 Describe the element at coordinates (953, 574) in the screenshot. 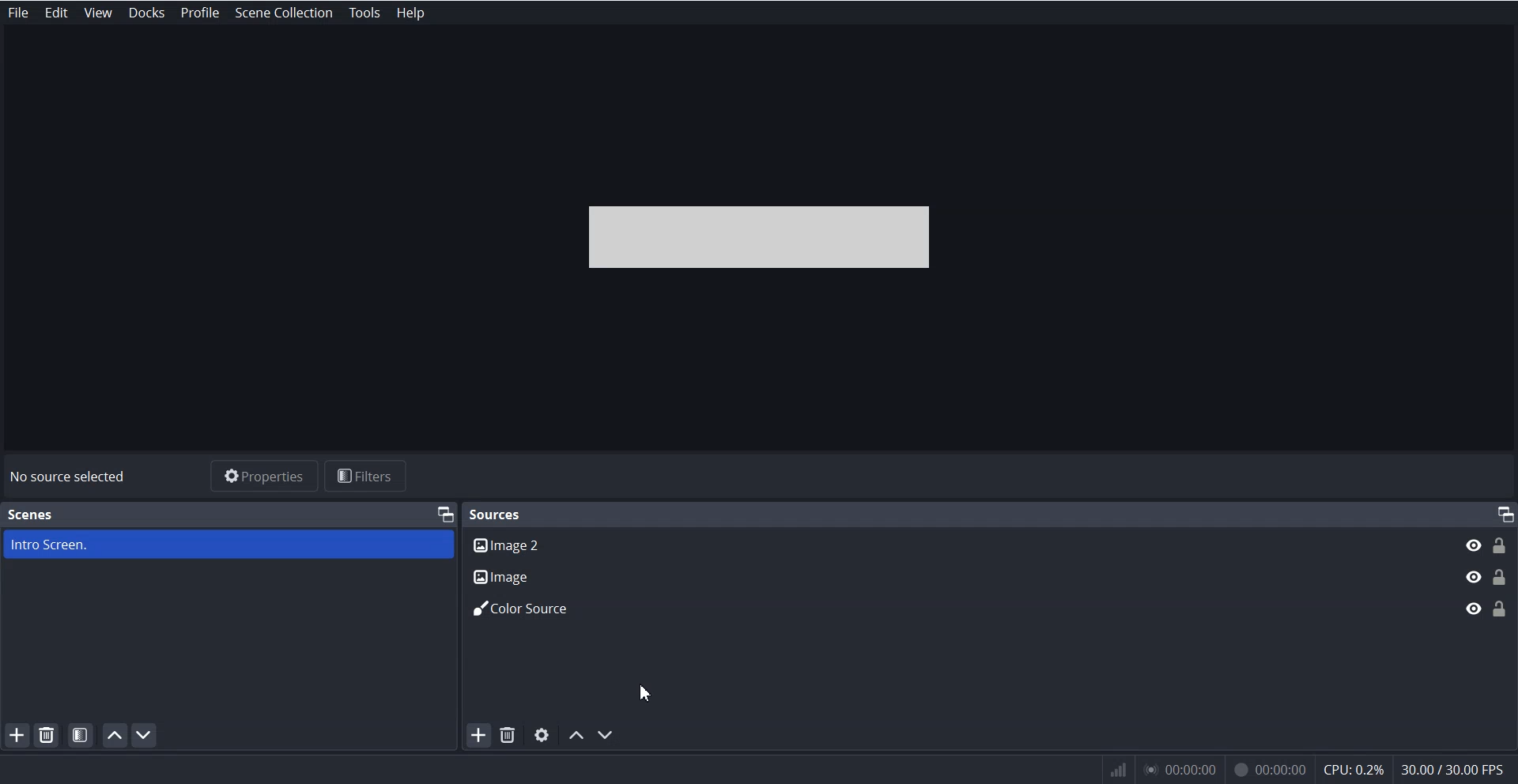

I see `Image` at that location.